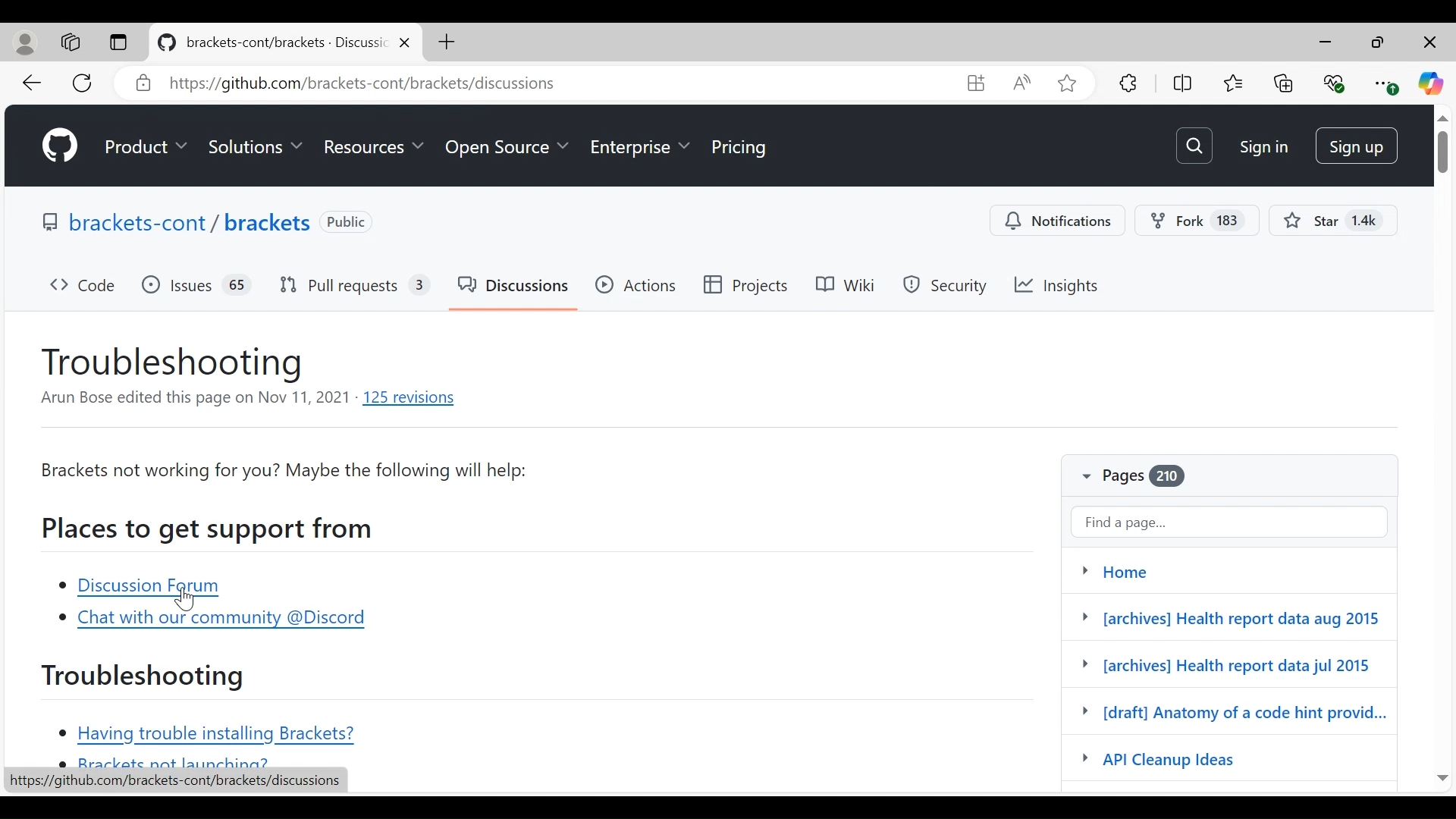 The width and height of the screenshot is (1456, 819). What do you see at coordinates (147, 588) in the screenshot?
I see `Discussion Forum` at bounding box center [147, 588].